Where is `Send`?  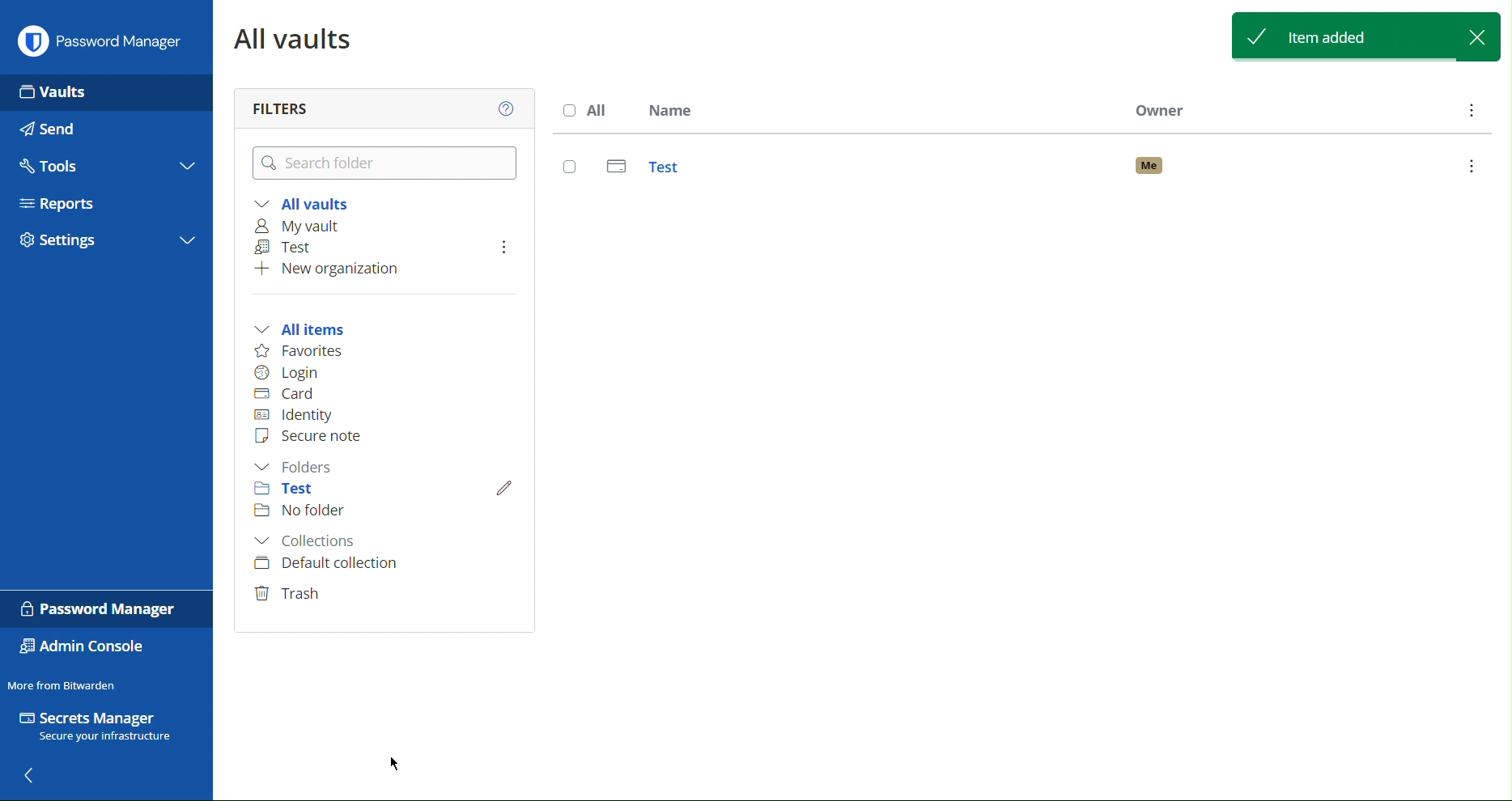
Send is located at coordinates (54, 131).